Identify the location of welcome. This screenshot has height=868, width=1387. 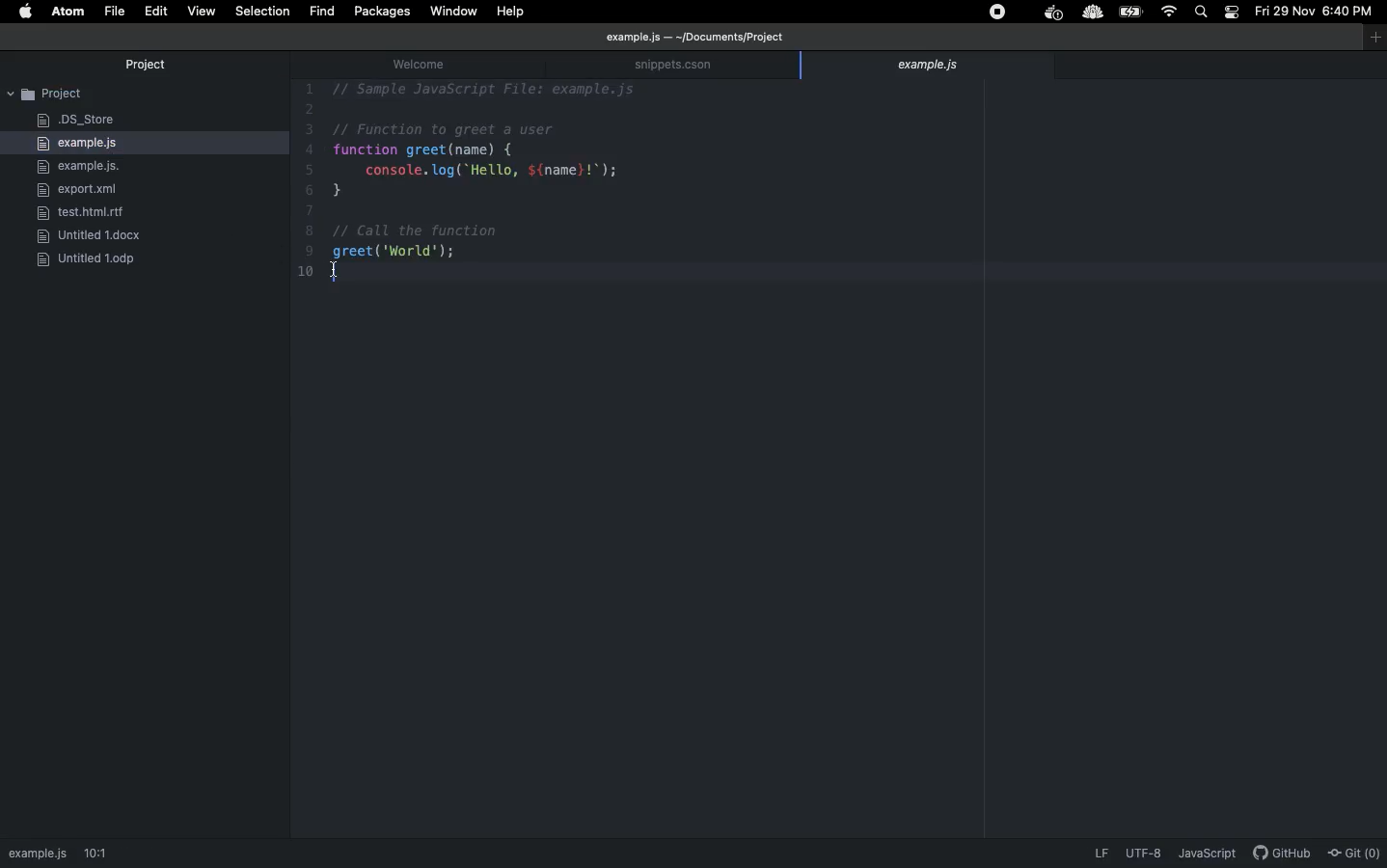
(432, 64).